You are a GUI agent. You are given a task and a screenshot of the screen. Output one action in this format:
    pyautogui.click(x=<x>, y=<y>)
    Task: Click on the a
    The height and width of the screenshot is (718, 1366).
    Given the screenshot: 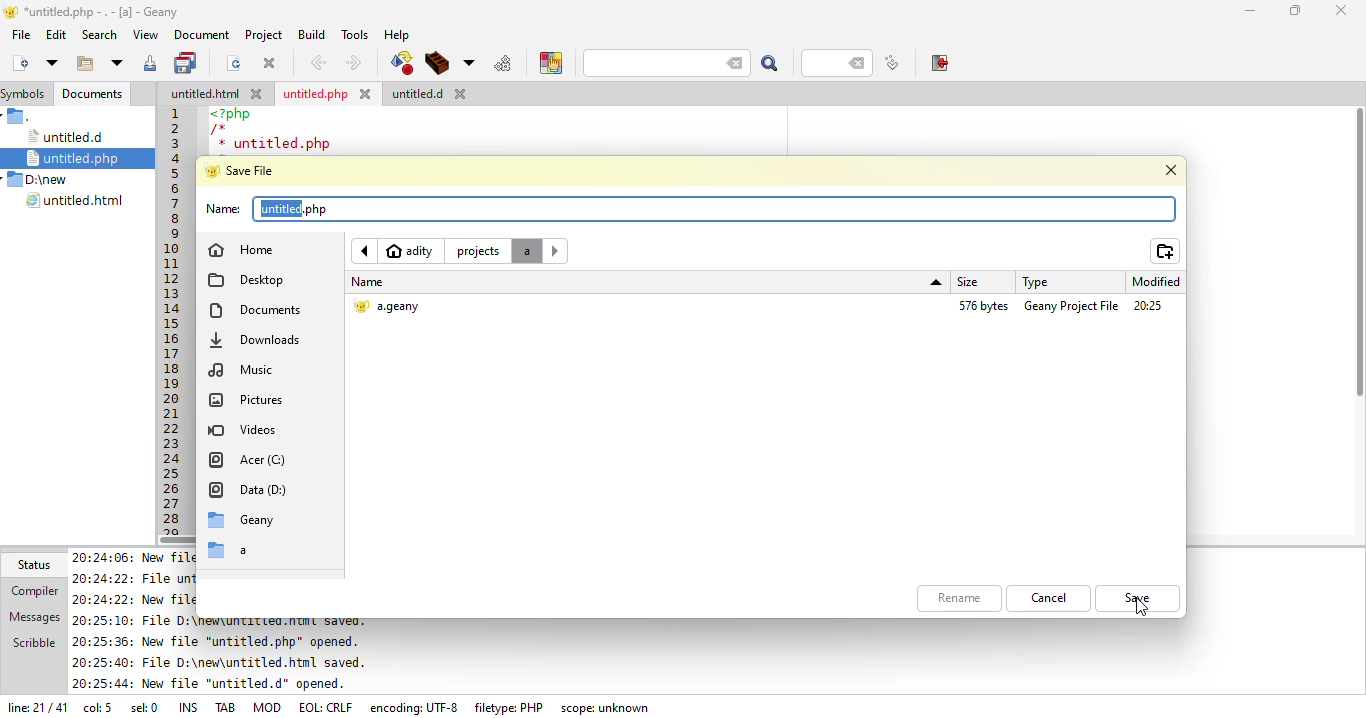 What is the action you would take?
    pyautogui.click(x=390, y=308)
    